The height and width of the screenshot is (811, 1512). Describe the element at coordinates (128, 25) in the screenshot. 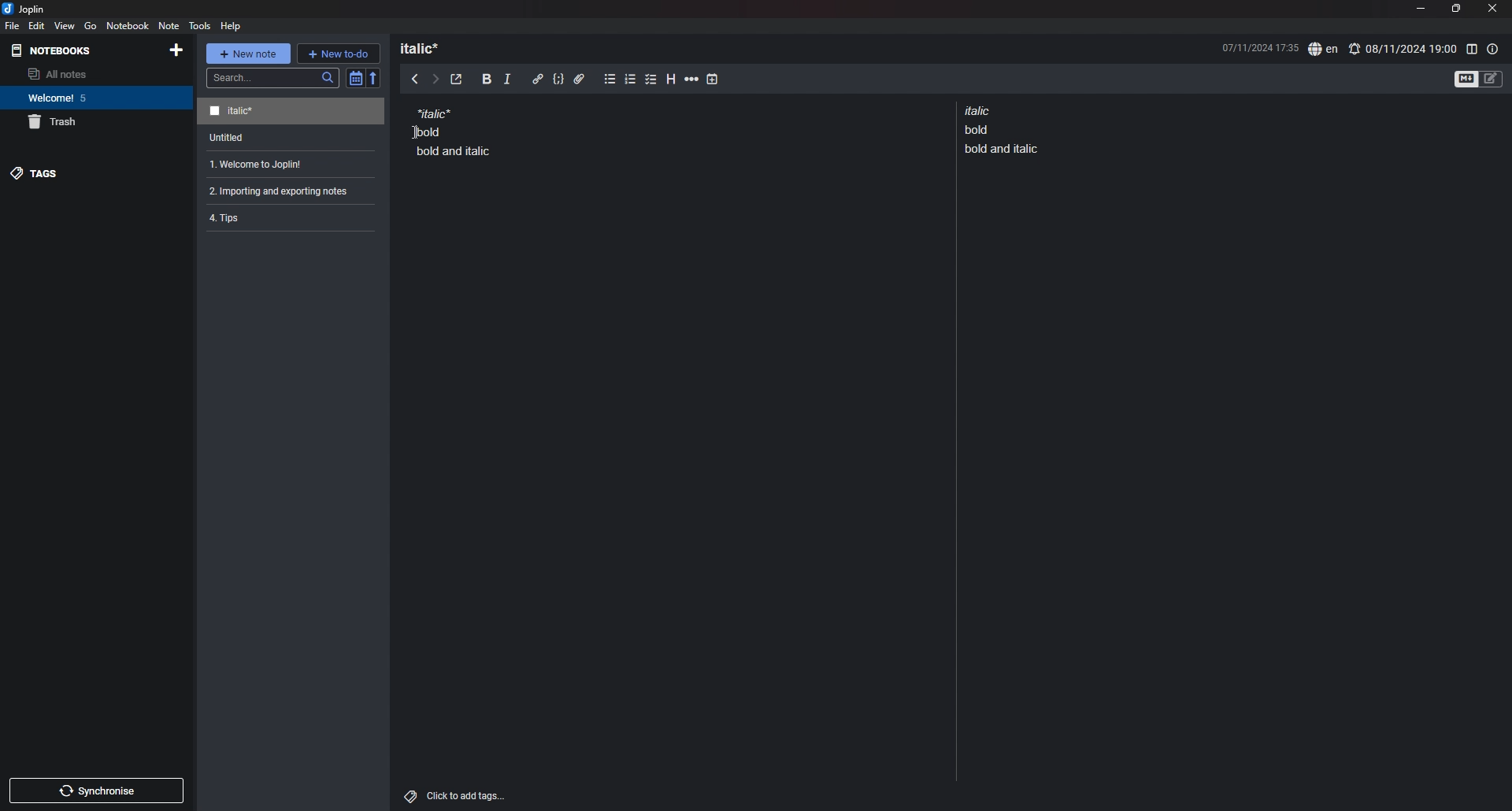

I see `notebook` at that location.